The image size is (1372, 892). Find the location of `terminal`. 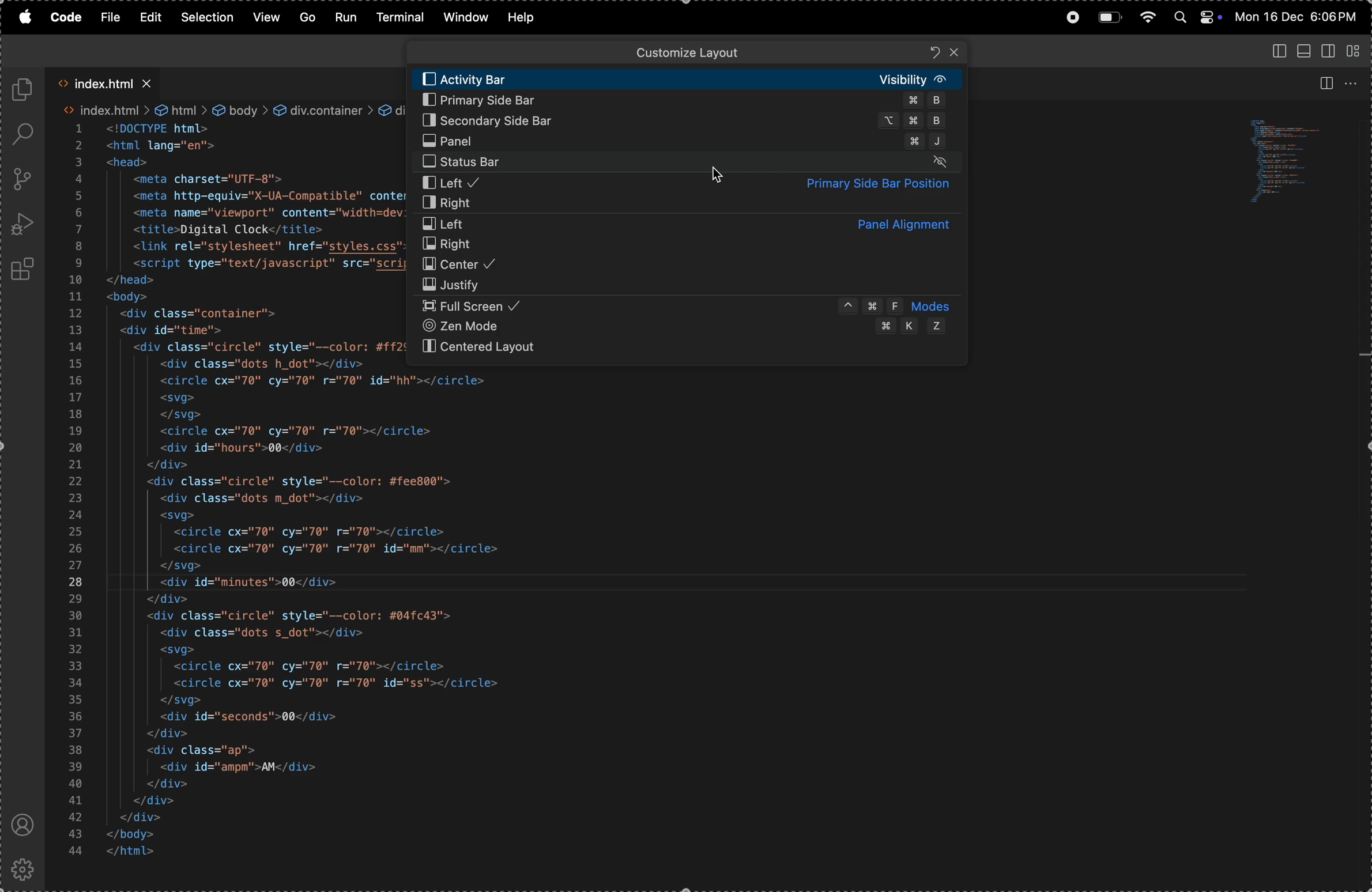

terminal is located at coordinates (400, 18).